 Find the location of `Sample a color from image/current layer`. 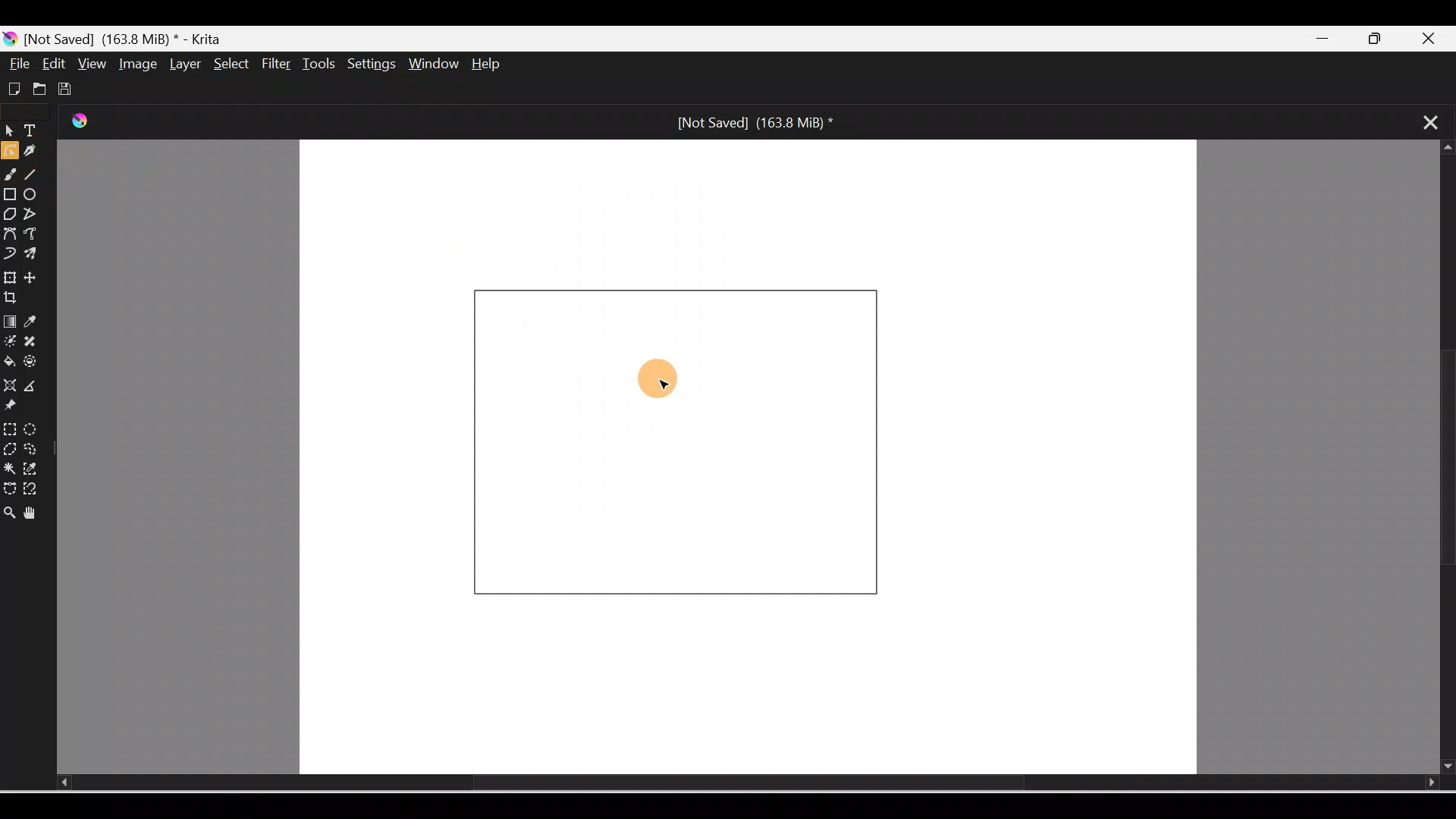

Sample a color from image/current layer is located at coordinates (36, 322).